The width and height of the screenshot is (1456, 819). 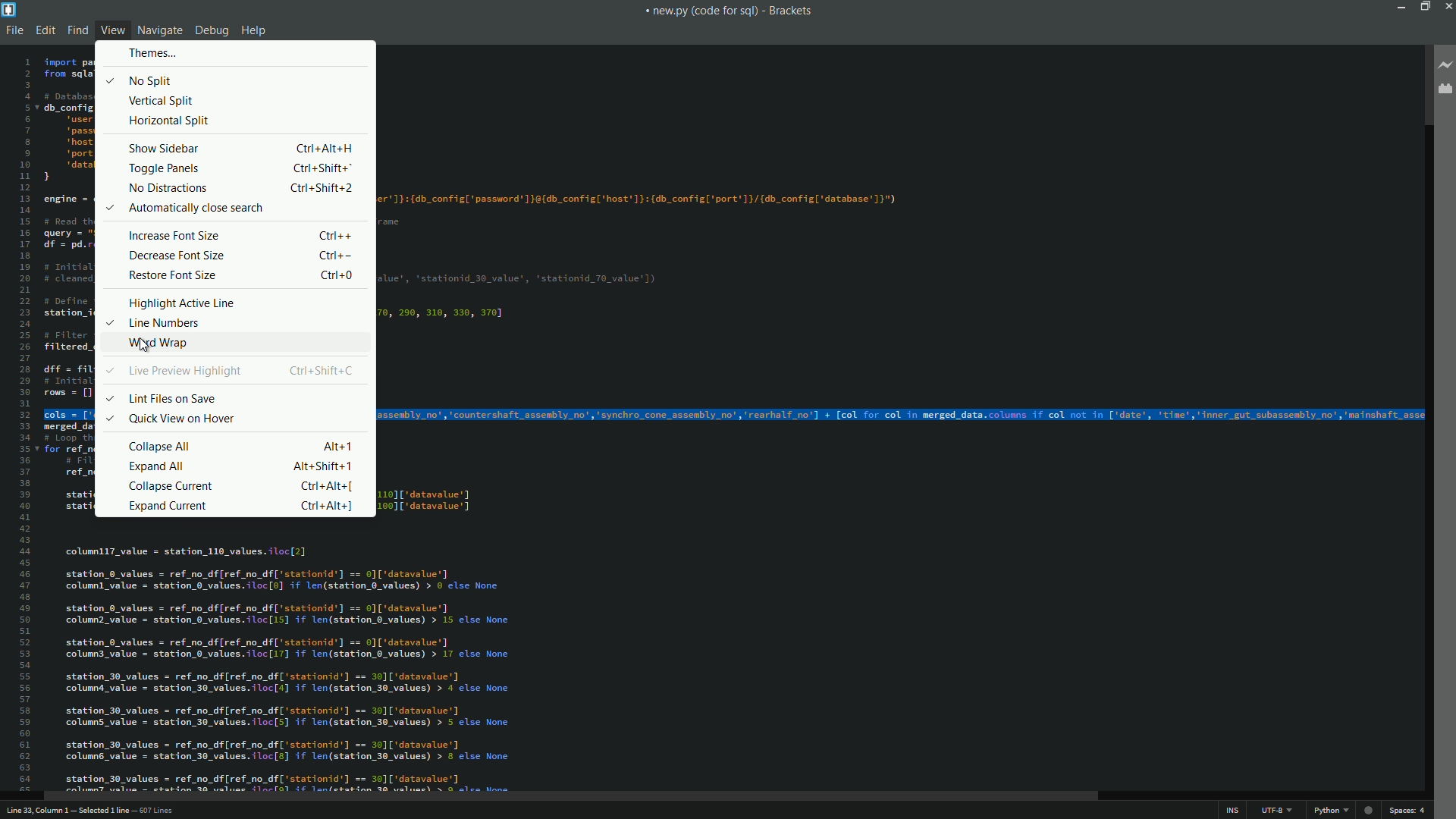 What do you see at coordinates (337, 276) in the screenshot?
I see `keyboard shortcut` at bounding box center [337, 276].